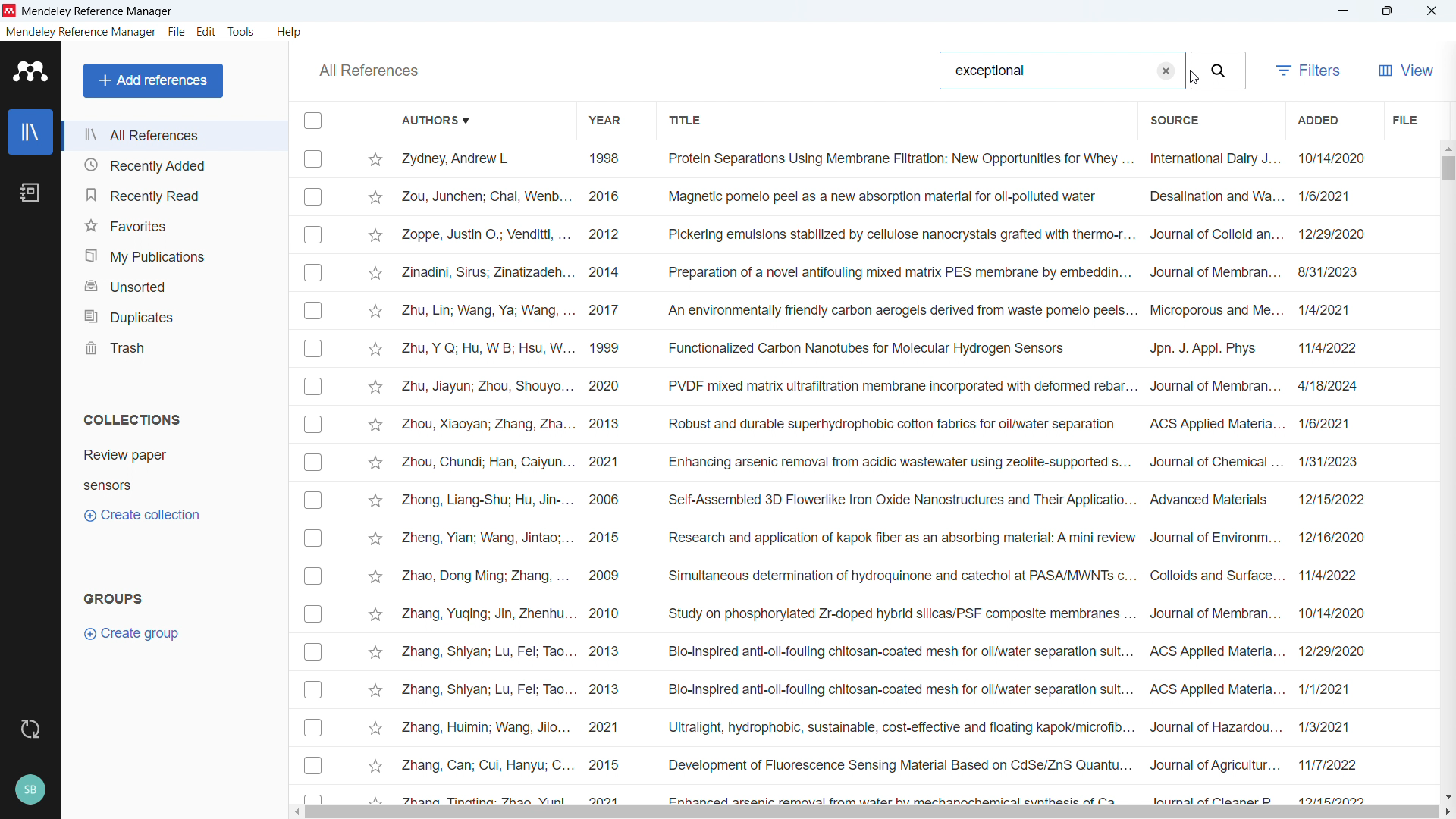 This screenshot has width=1456, height=819. I want to click on minimise , so click(1342, 11).